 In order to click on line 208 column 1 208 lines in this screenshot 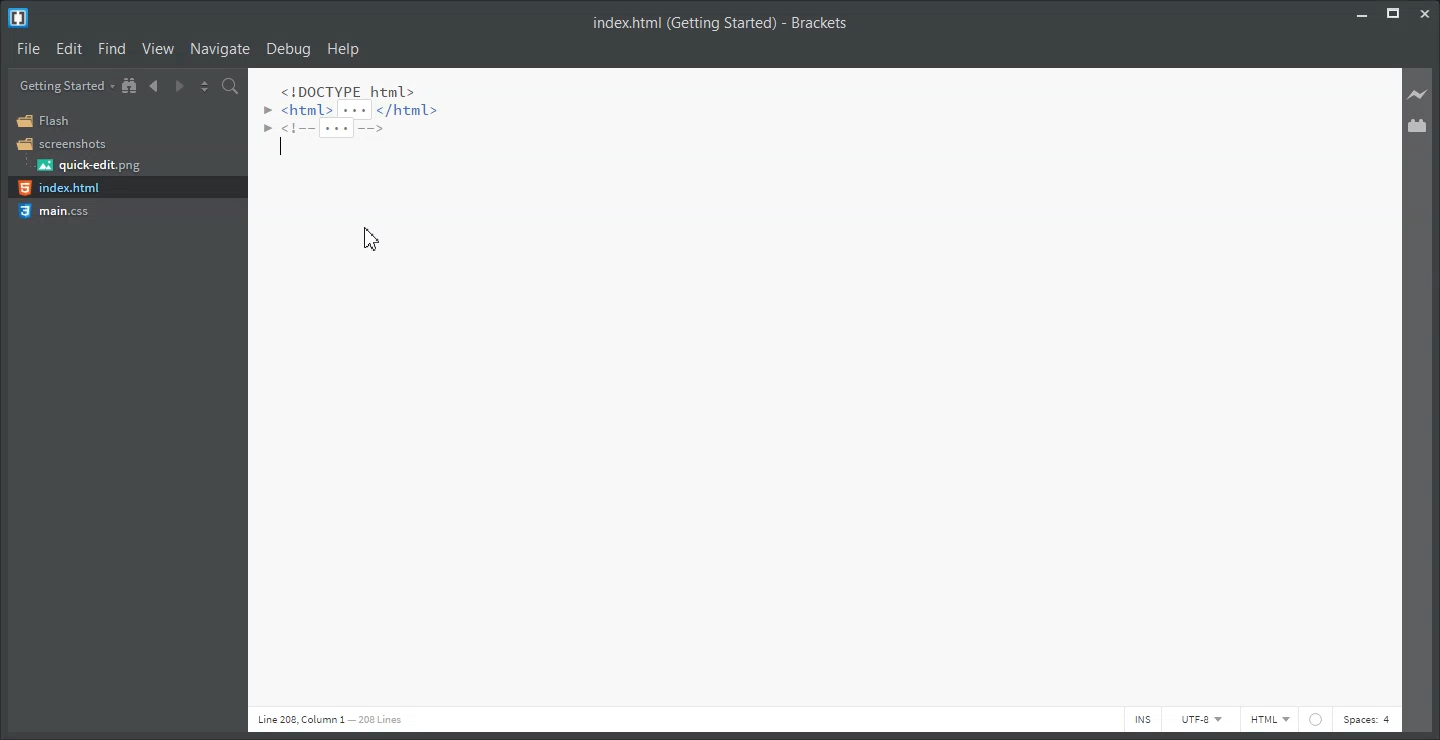, I will do `click(332, 719)`.